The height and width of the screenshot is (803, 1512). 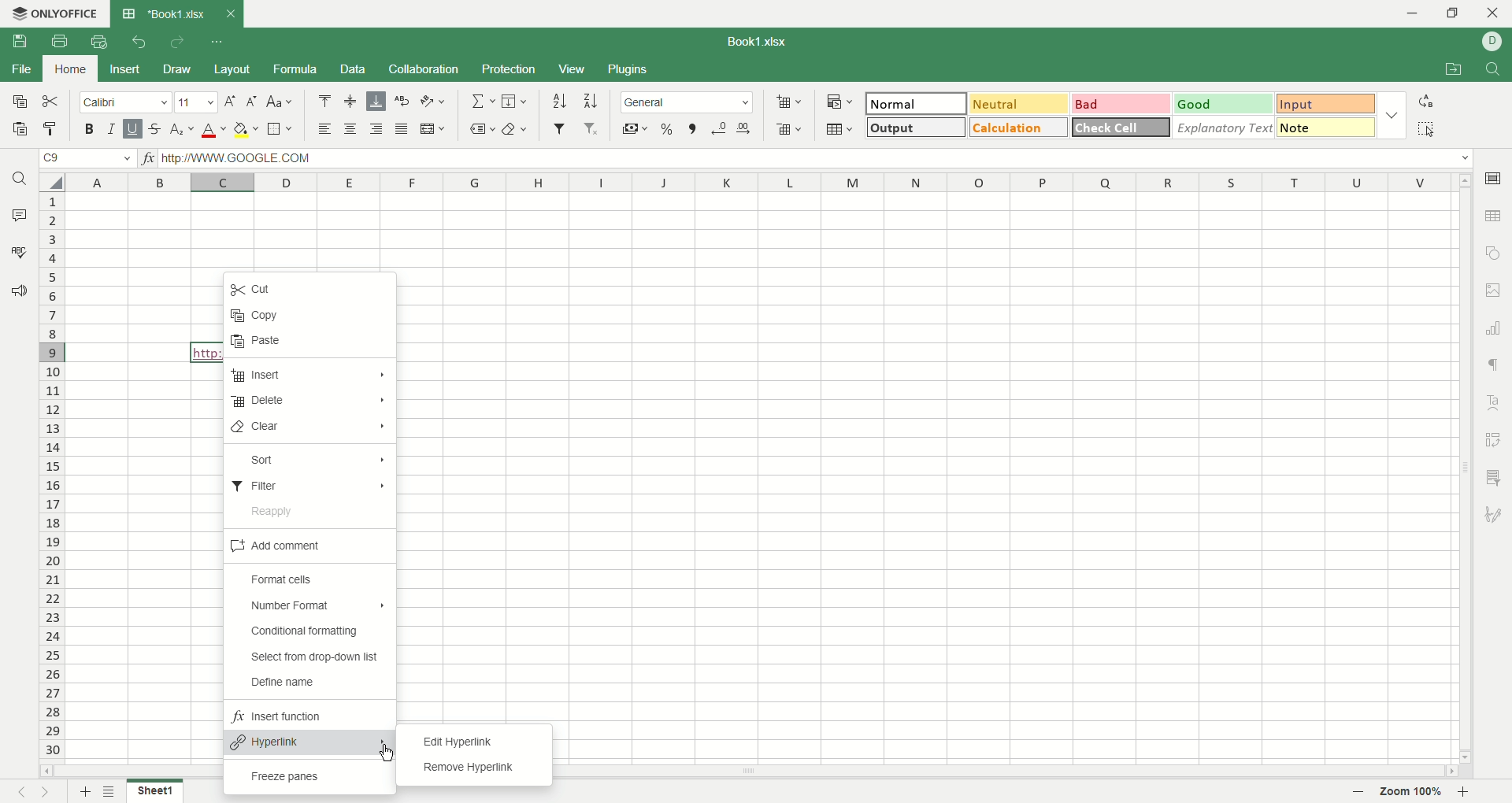 What do you see at coordinates (112, 128) in the screenshot?
I see `italic` at bounding box center [112, 128].